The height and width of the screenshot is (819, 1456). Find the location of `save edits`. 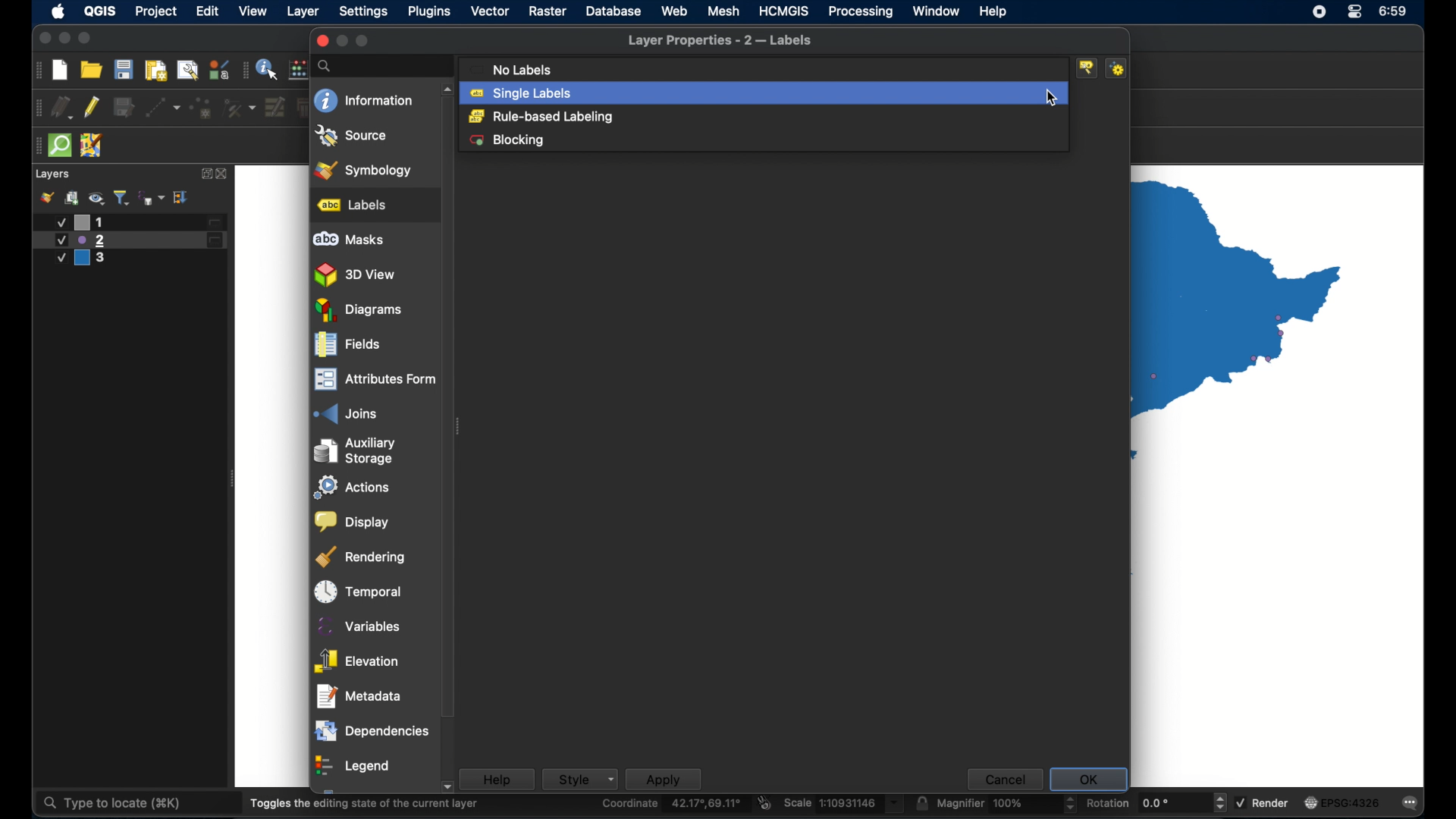

save edits is located at coordinates (124, 107).